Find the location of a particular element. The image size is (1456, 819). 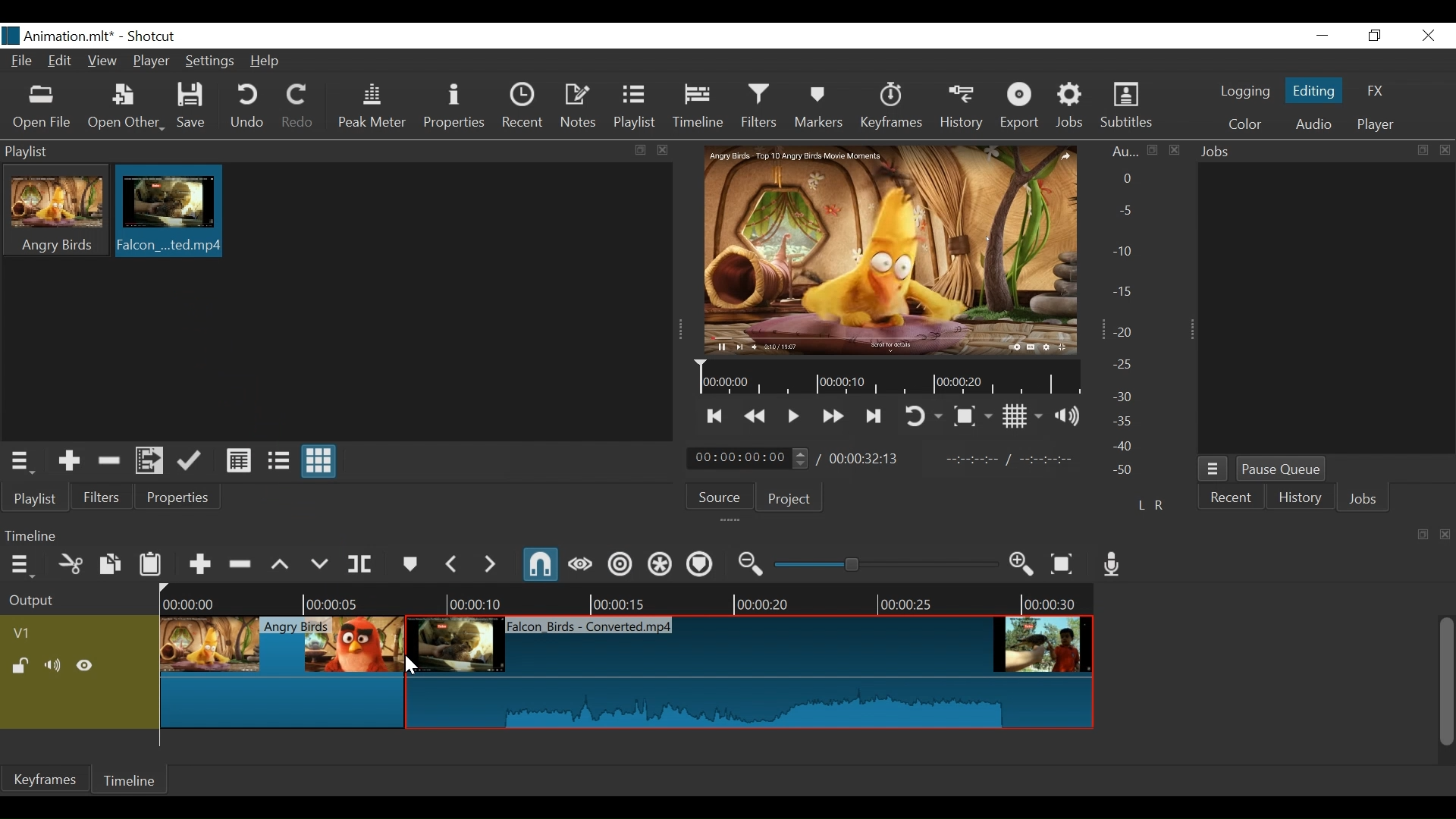

Timeline is located at coordinates (629, 599).